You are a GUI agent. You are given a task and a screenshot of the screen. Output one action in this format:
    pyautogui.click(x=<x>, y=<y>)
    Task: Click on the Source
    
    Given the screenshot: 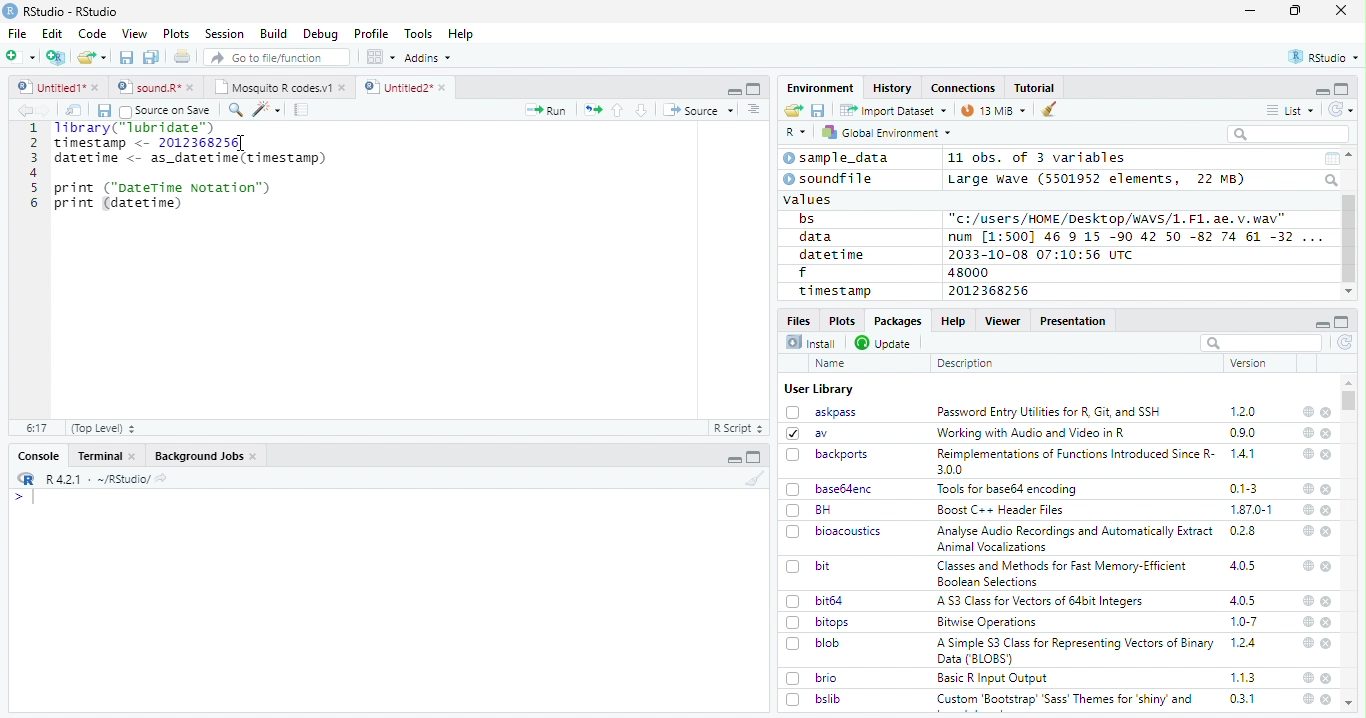 What is the action you would take?
    pyautogui.click(x=698, y=112)
    